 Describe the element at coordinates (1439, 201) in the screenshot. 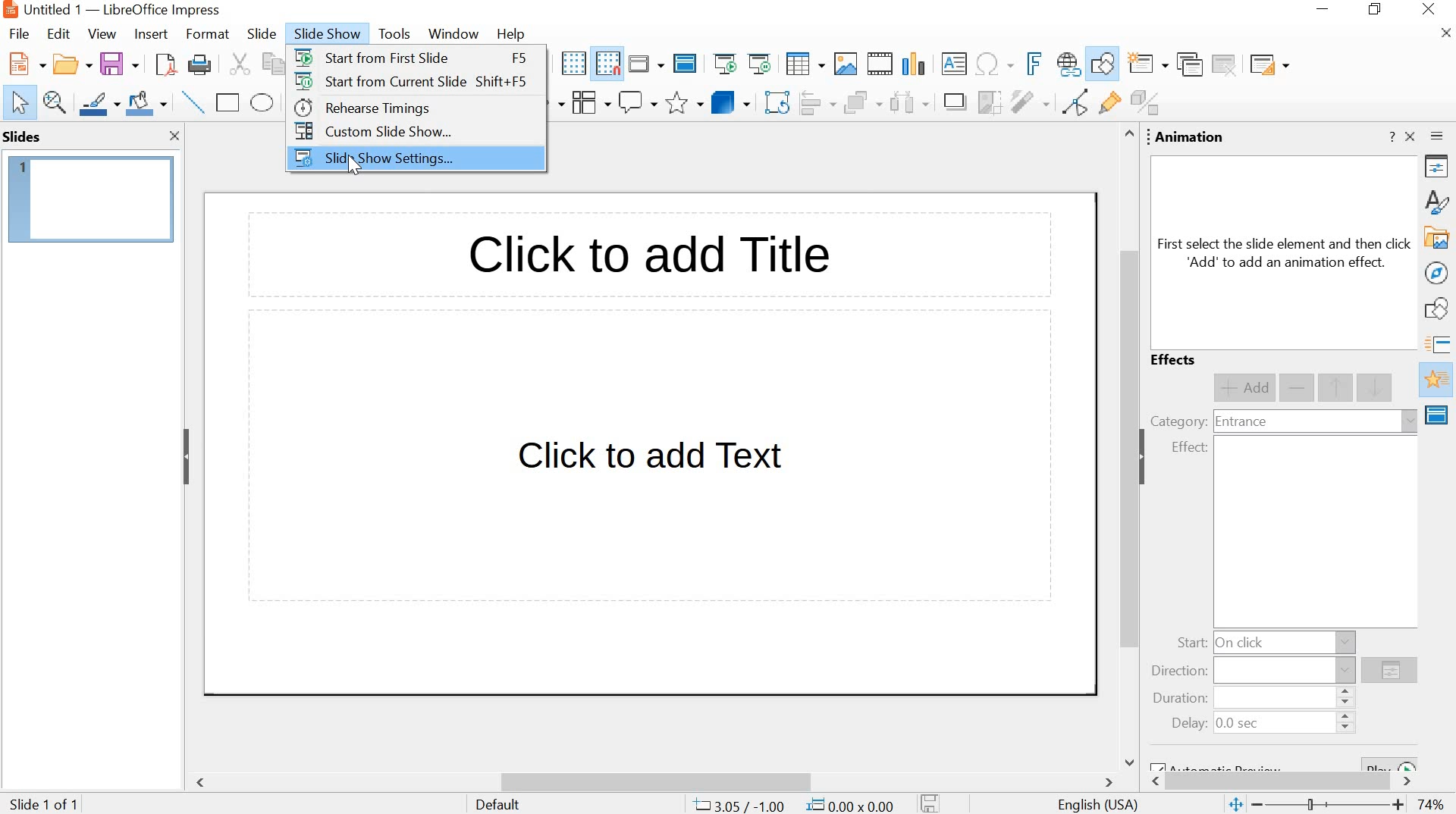

I see `styles` at that location.